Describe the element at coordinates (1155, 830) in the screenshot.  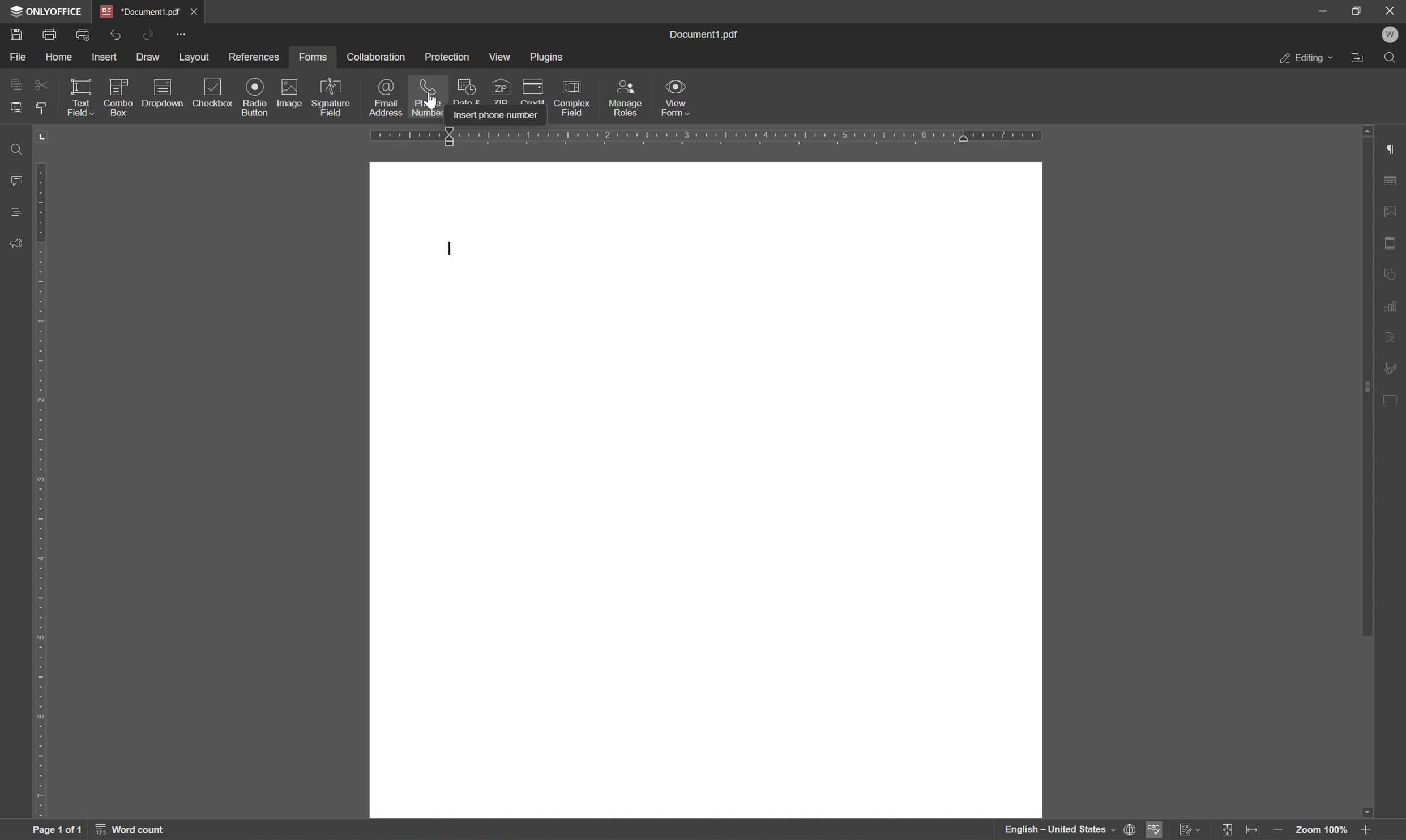
I see `spell checking` at that location.